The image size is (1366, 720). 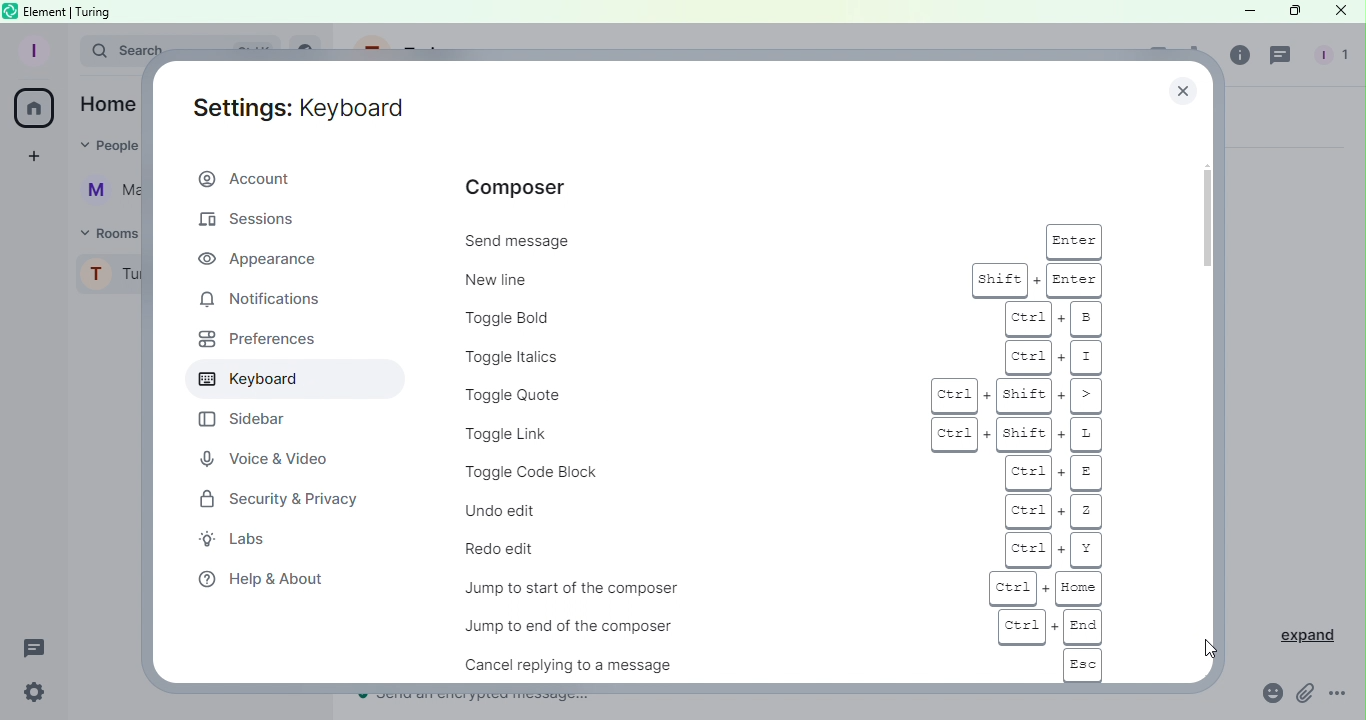 What do you see at coordinates (34, 694) in the screenshot?
I see `Quick Settings` at bounding box center [34, 694].